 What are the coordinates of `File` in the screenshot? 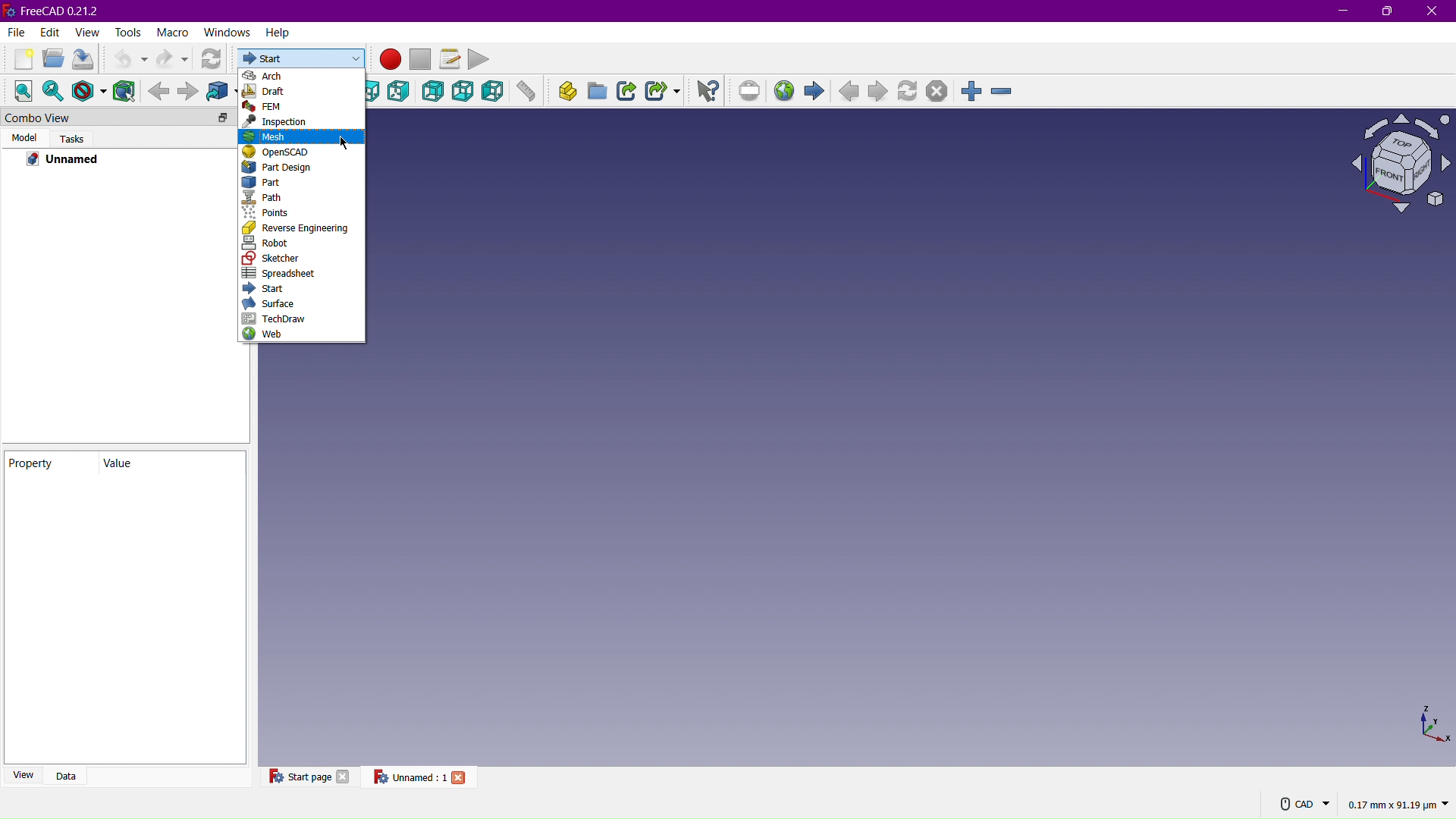 It's located at (14, 33).